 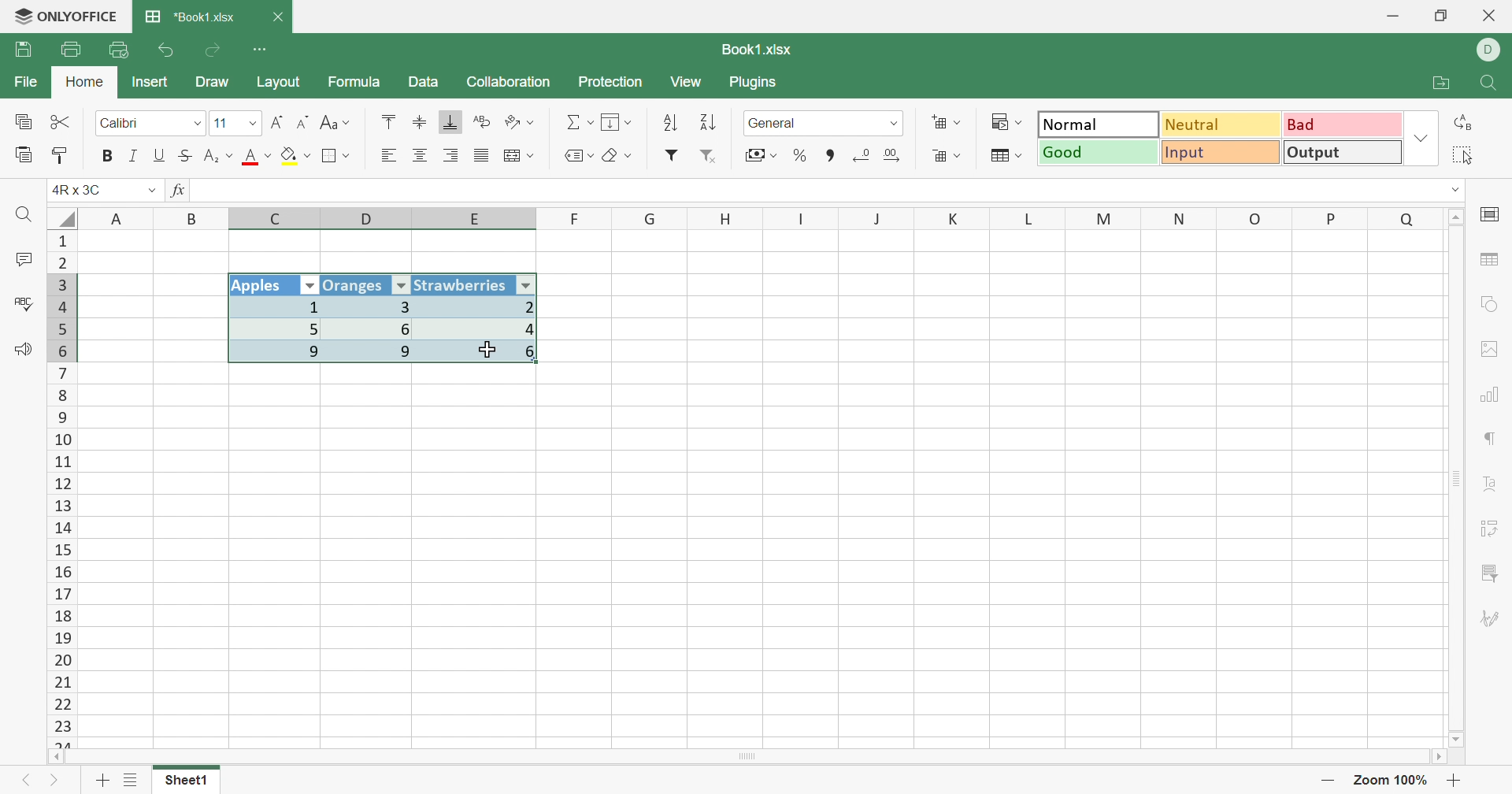 I want to click on Copy, so click(x=22, y=123).